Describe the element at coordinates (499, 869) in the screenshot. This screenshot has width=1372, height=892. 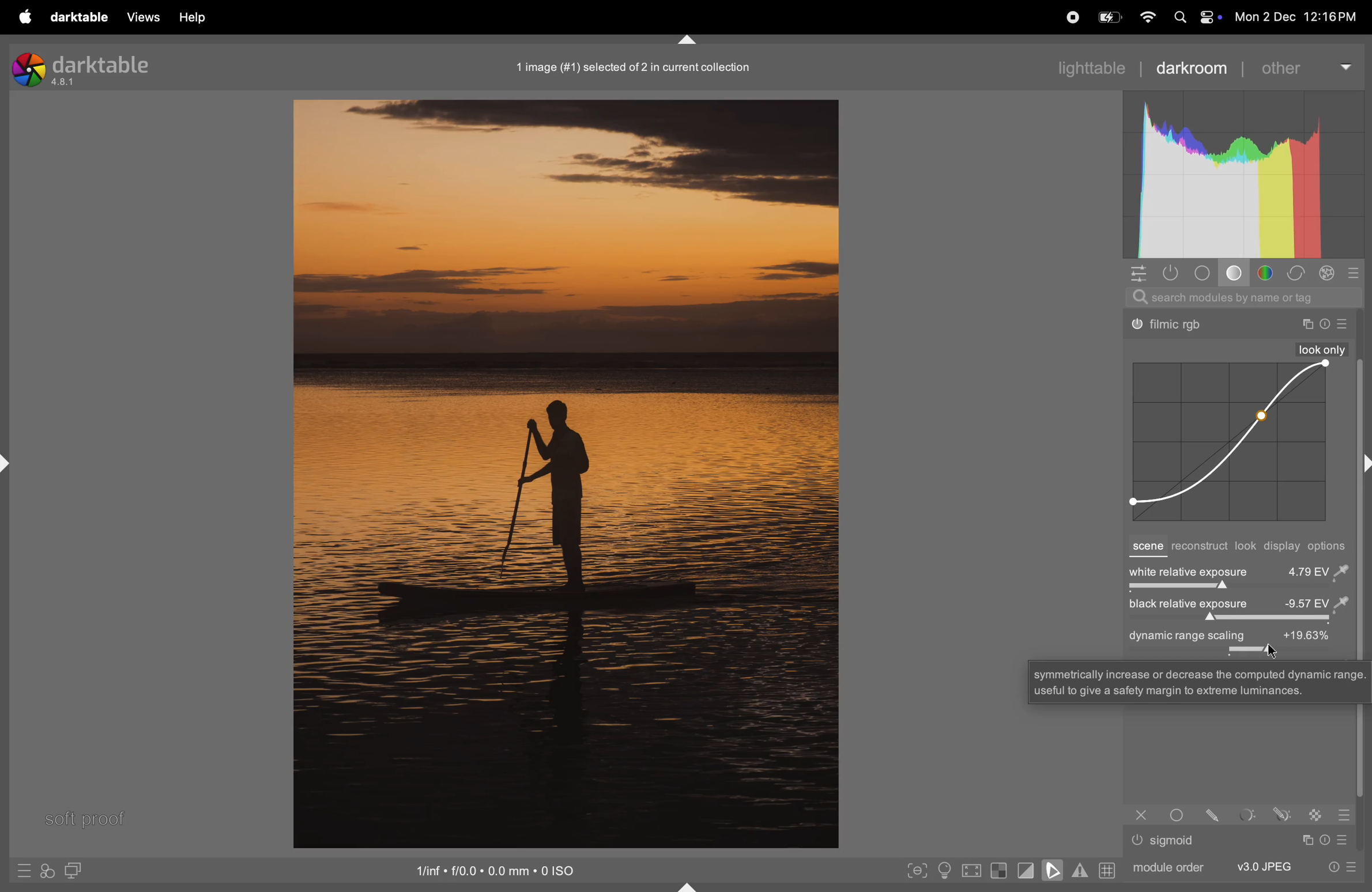
I see `iso` at that location.